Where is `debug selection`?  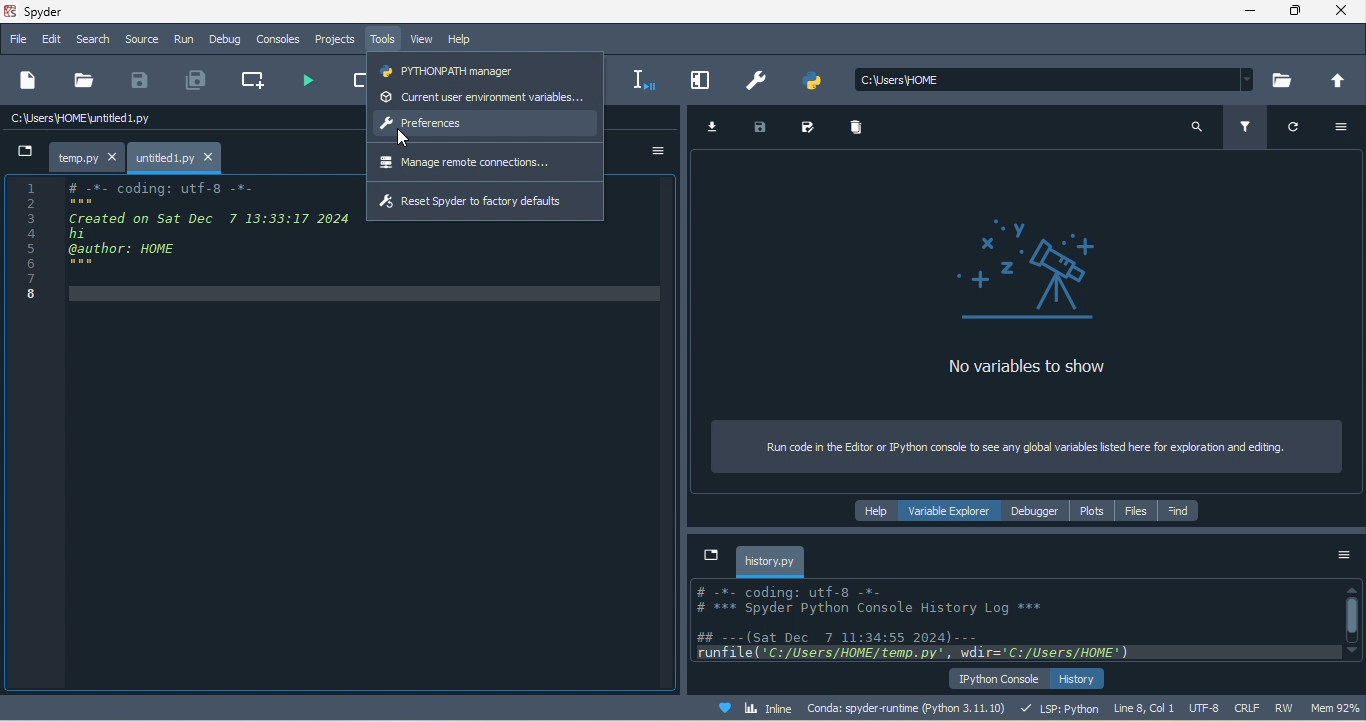
debug selection is located at coordinates (644, 78).